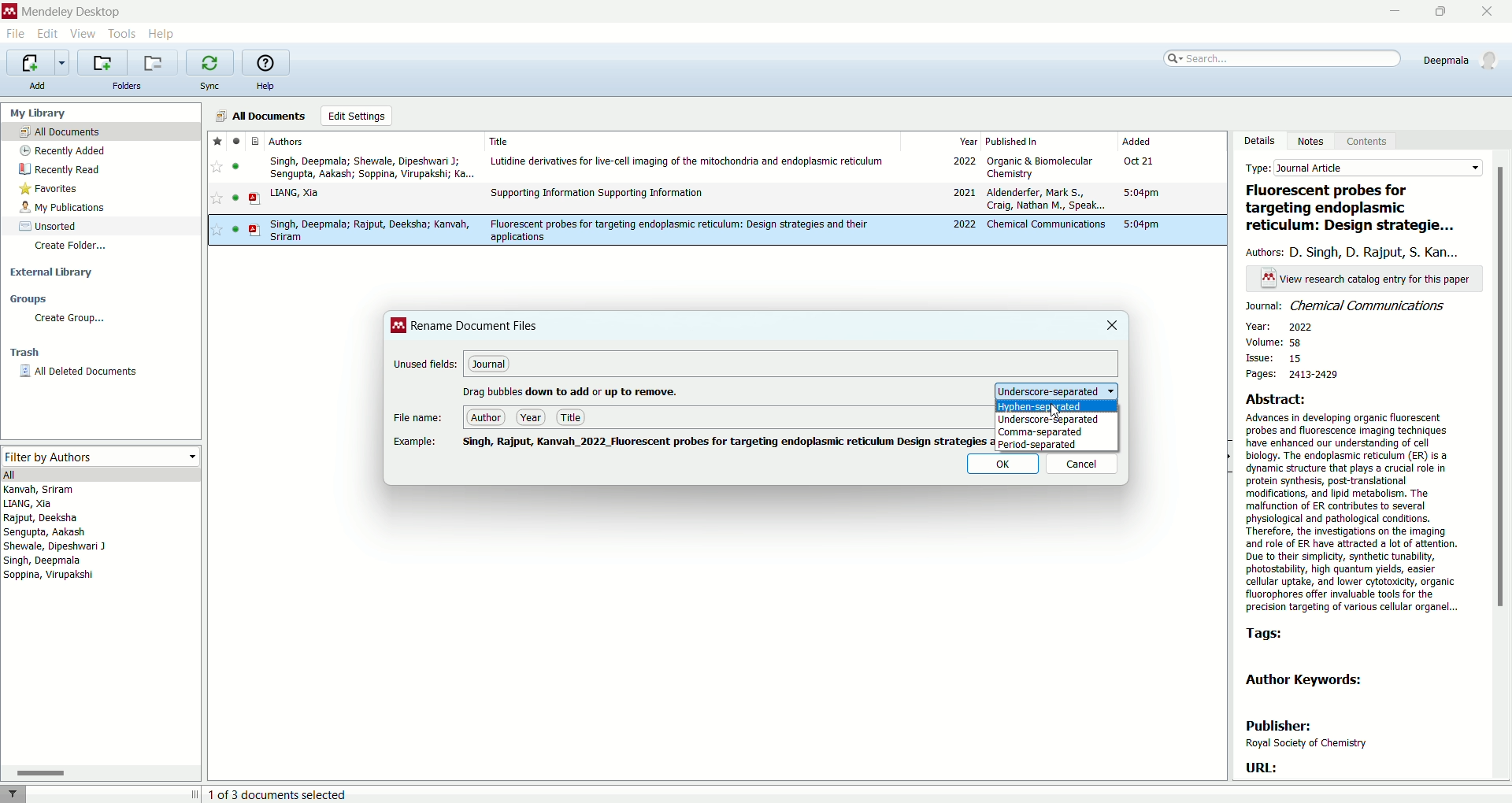 The image size is (1512, 803). What do you see at coordinates (1036, 444) in the screenshot?
I see `period separated` at bounding box center [1036, 444].